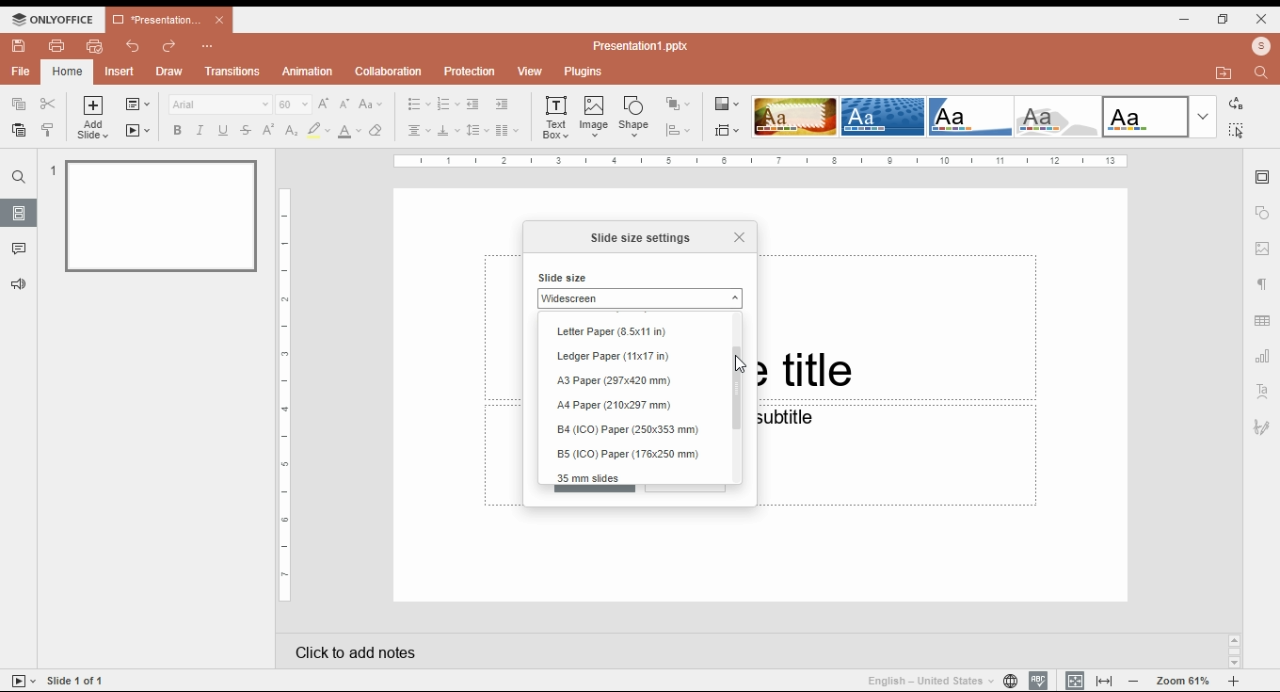 The height and width of the screenshot is (692, 1280). What do you see at coordinates (352, 648) in the screenshot?
I see `click add notes` at bounding box center [352, 648].